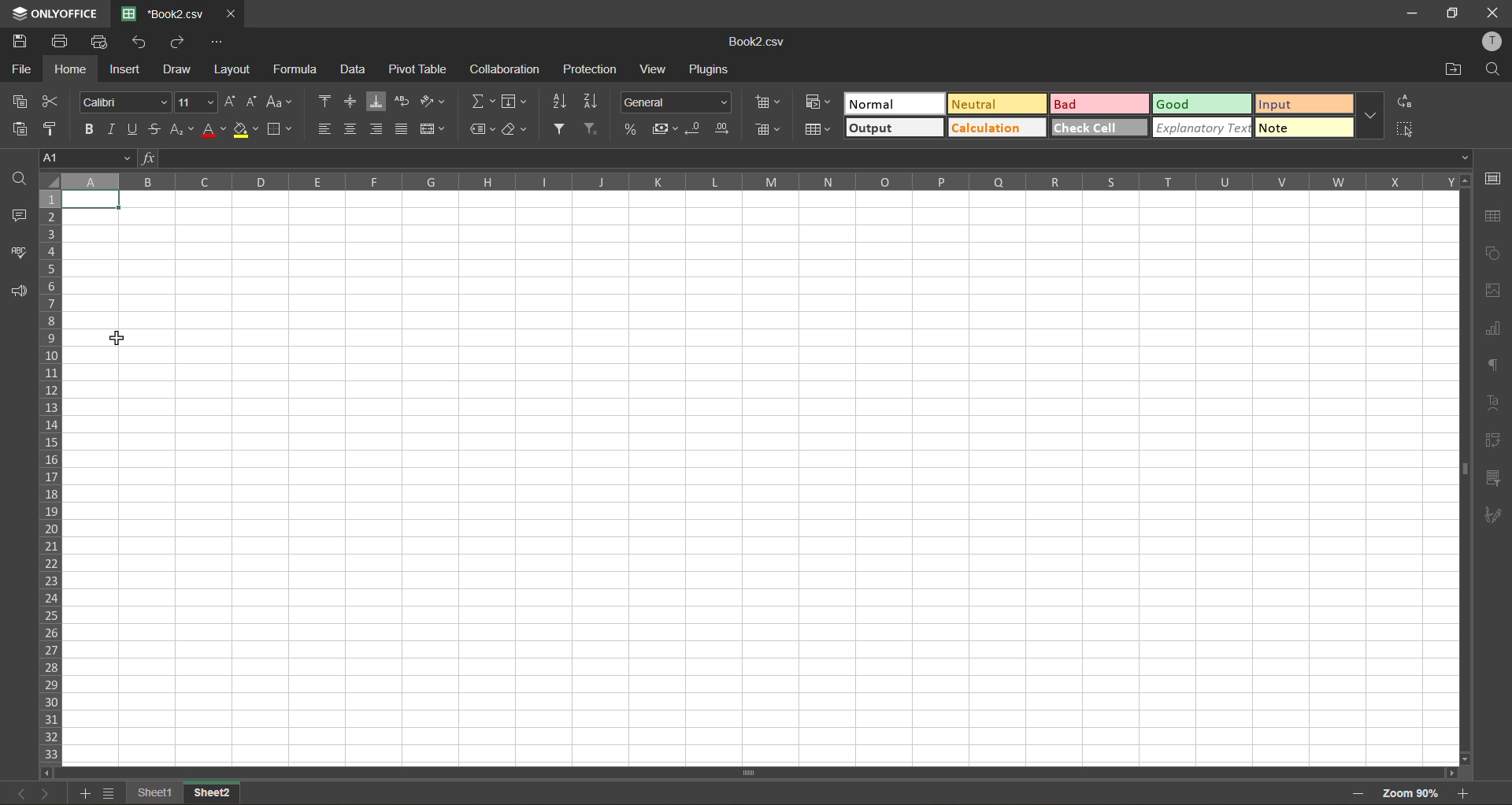 The width and height of the screenshot is (1512, 805). Describe the element at coordinates (1416, 793) in the screenshot. I see `zoom factor` at that location.